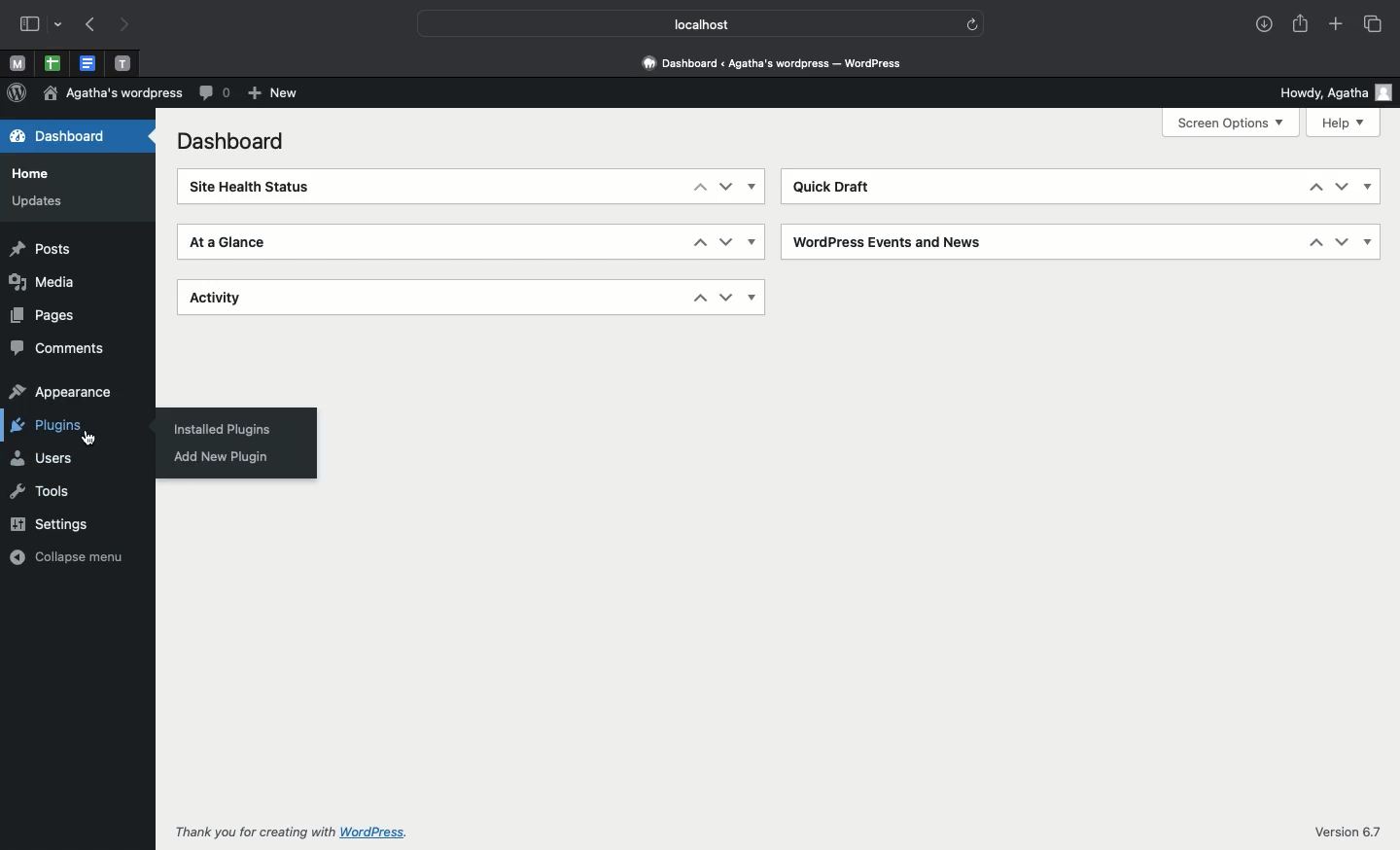 This screenshot has height=850, width=1400. I want to click on Activity, so click(220, 296).